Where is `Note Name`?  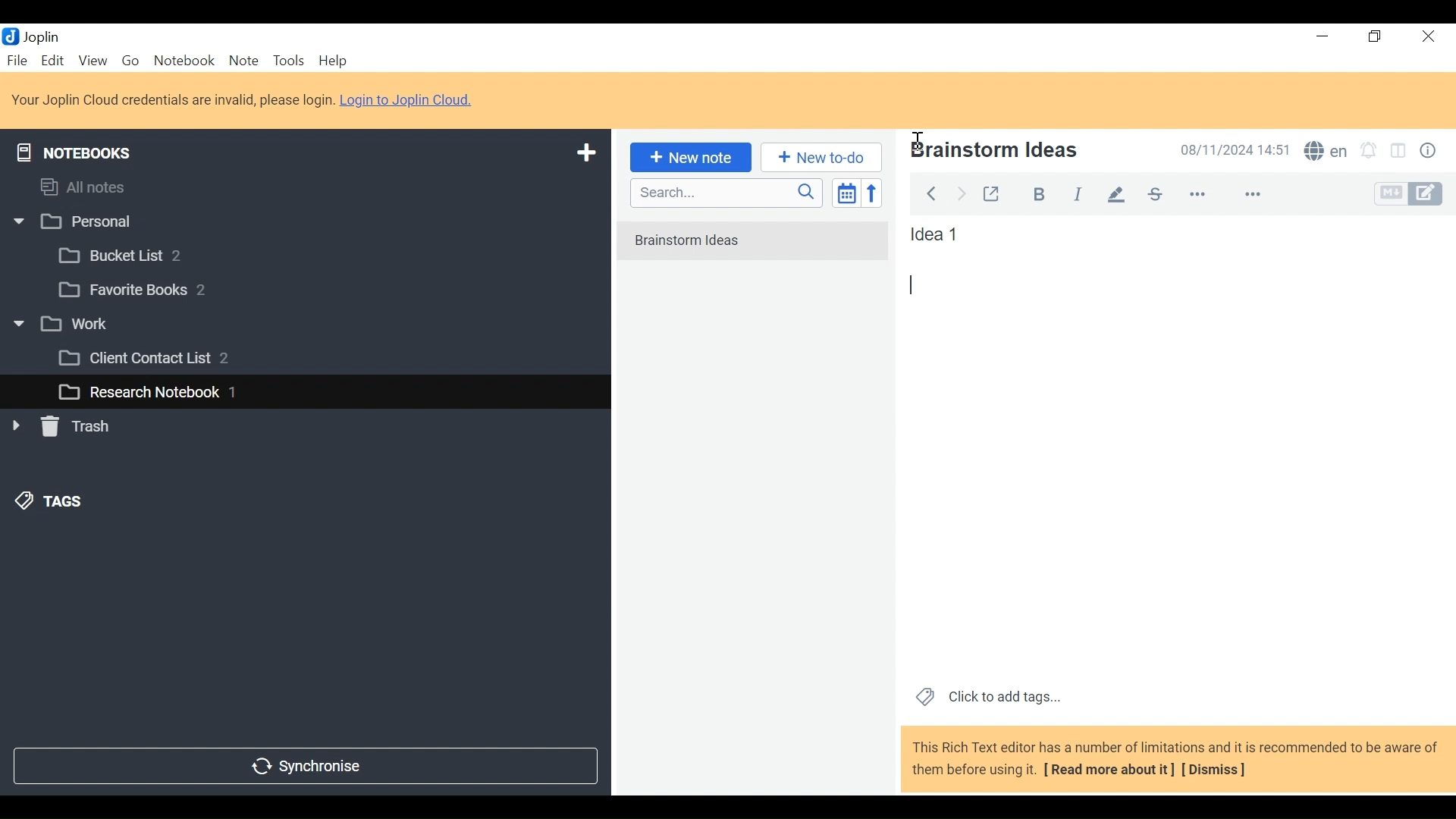
Note Name is located at coordinates (1026, 152).